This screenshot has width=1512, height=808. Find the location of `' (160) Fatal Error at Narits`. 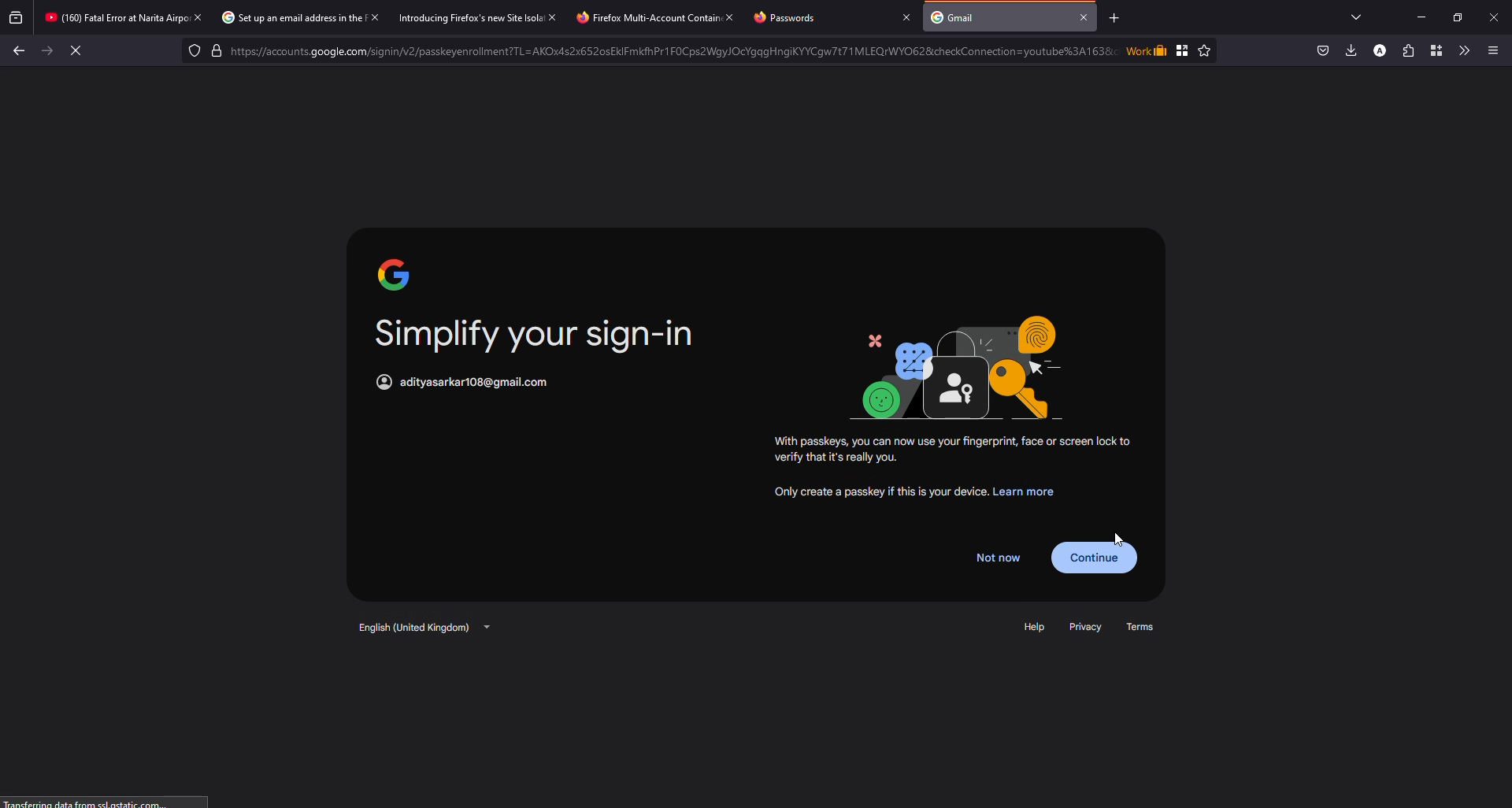

' (160) Fatal Error at Narits is located at coordinates (101, 19).